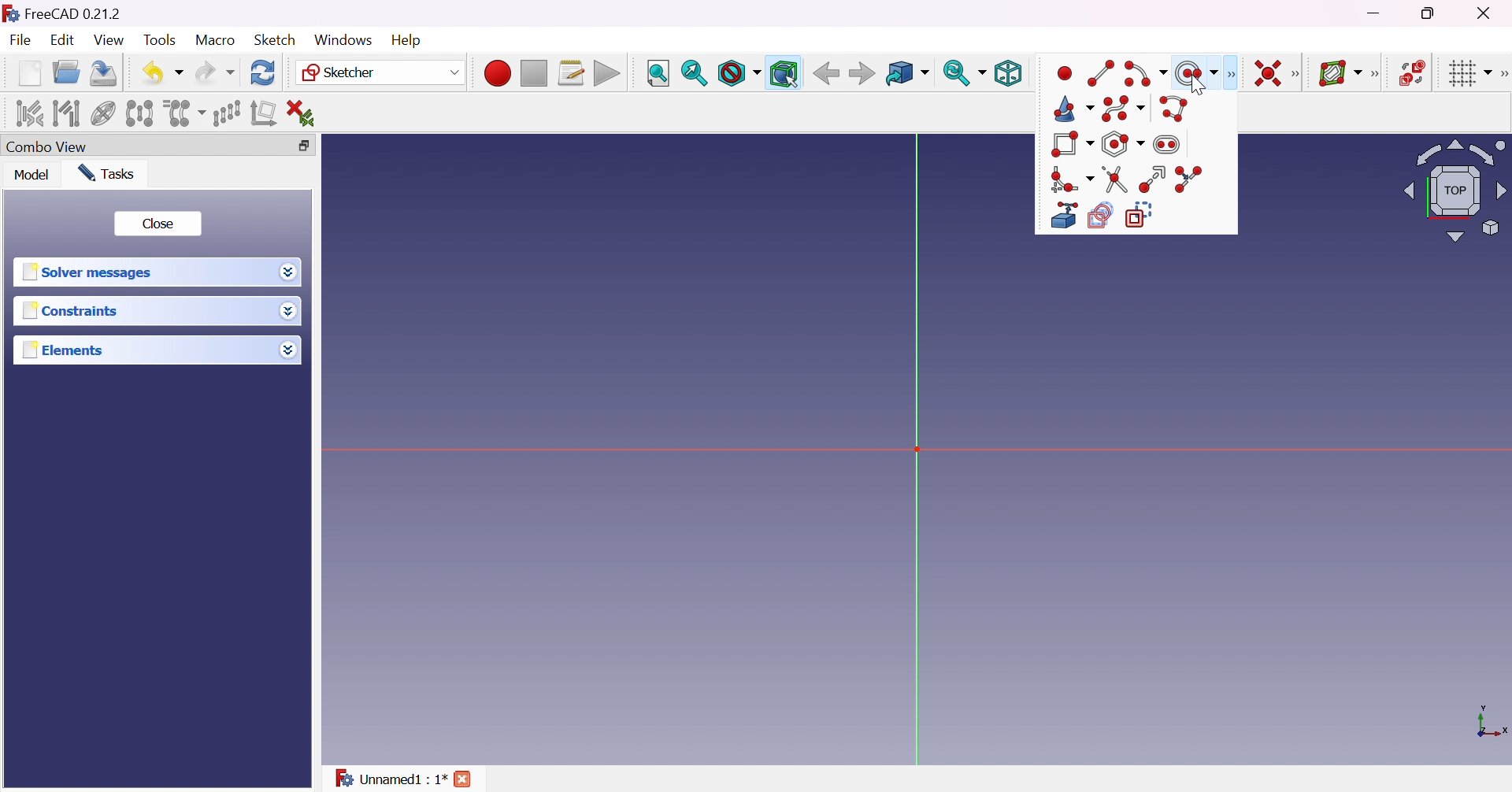  What do you see at coordinates (1299, 75) in the screenshot?
I see `[Sketcher constraints]` at bounding box center [1299, 75].